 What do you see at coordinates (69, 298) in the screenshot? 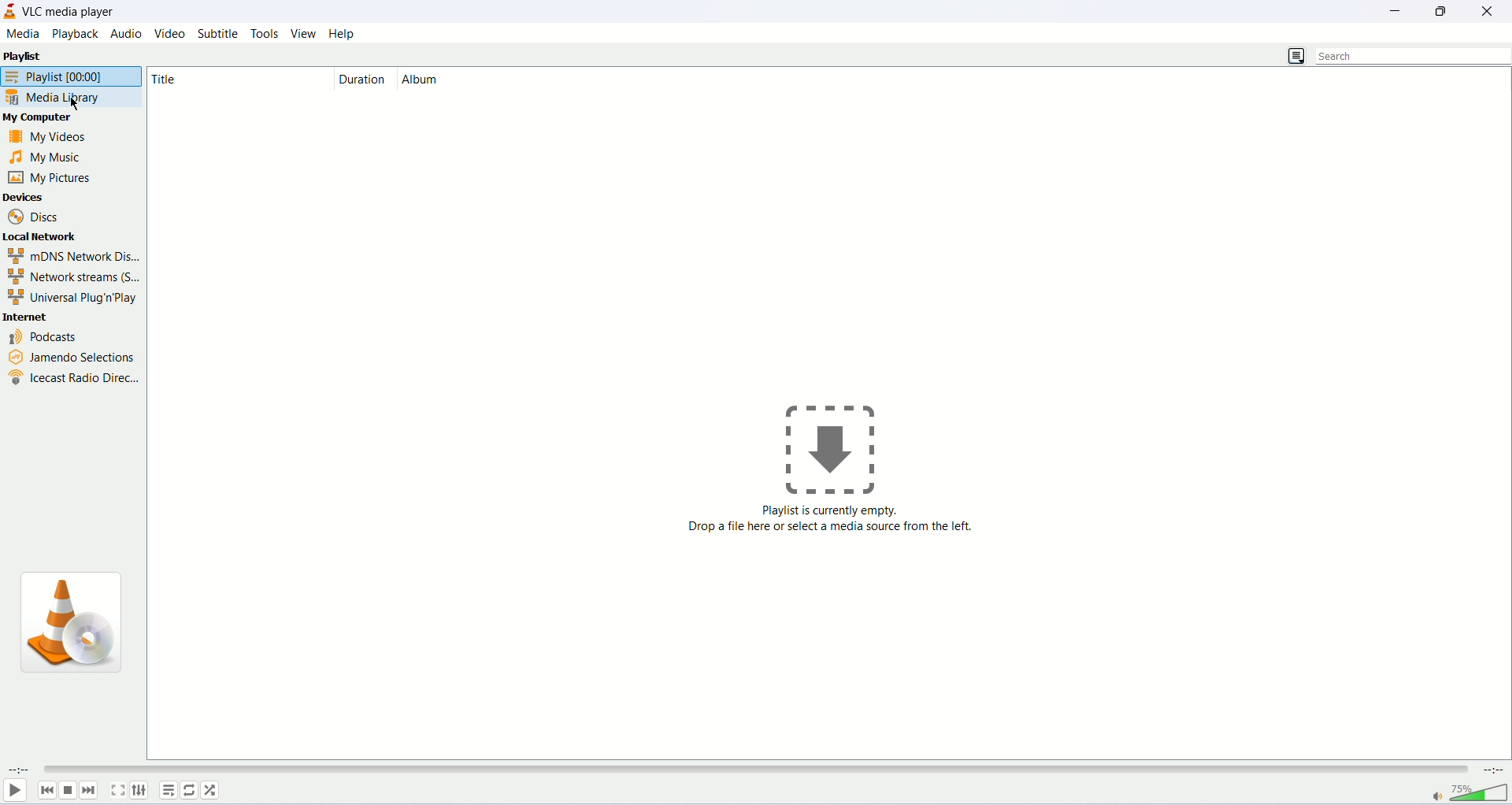
I see `Universal Plug n Play` at bounding box center [69, 298].